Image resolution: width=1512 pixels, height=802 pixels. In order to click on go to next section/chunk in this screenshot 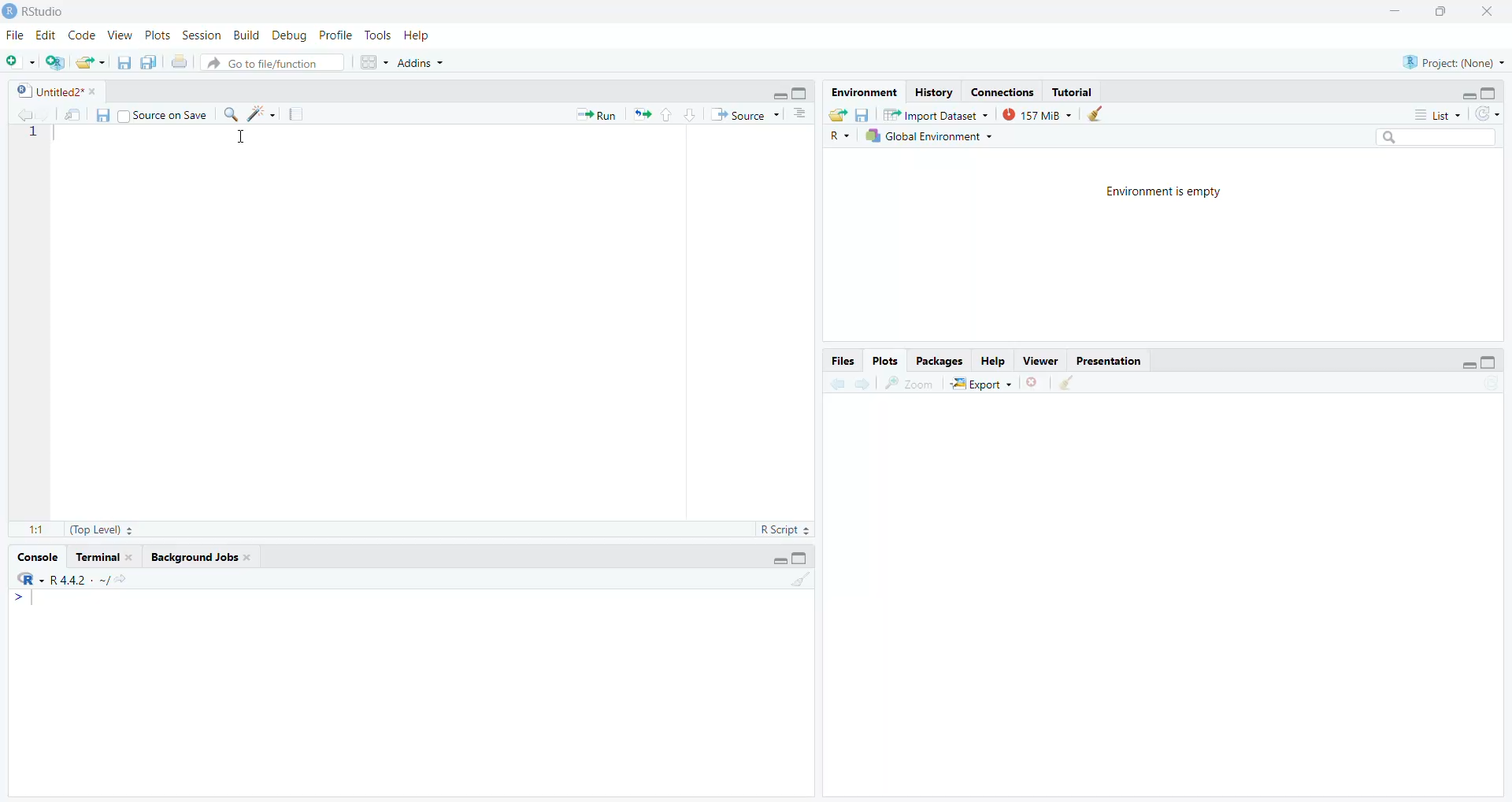, I will do `click(690, 116)`.